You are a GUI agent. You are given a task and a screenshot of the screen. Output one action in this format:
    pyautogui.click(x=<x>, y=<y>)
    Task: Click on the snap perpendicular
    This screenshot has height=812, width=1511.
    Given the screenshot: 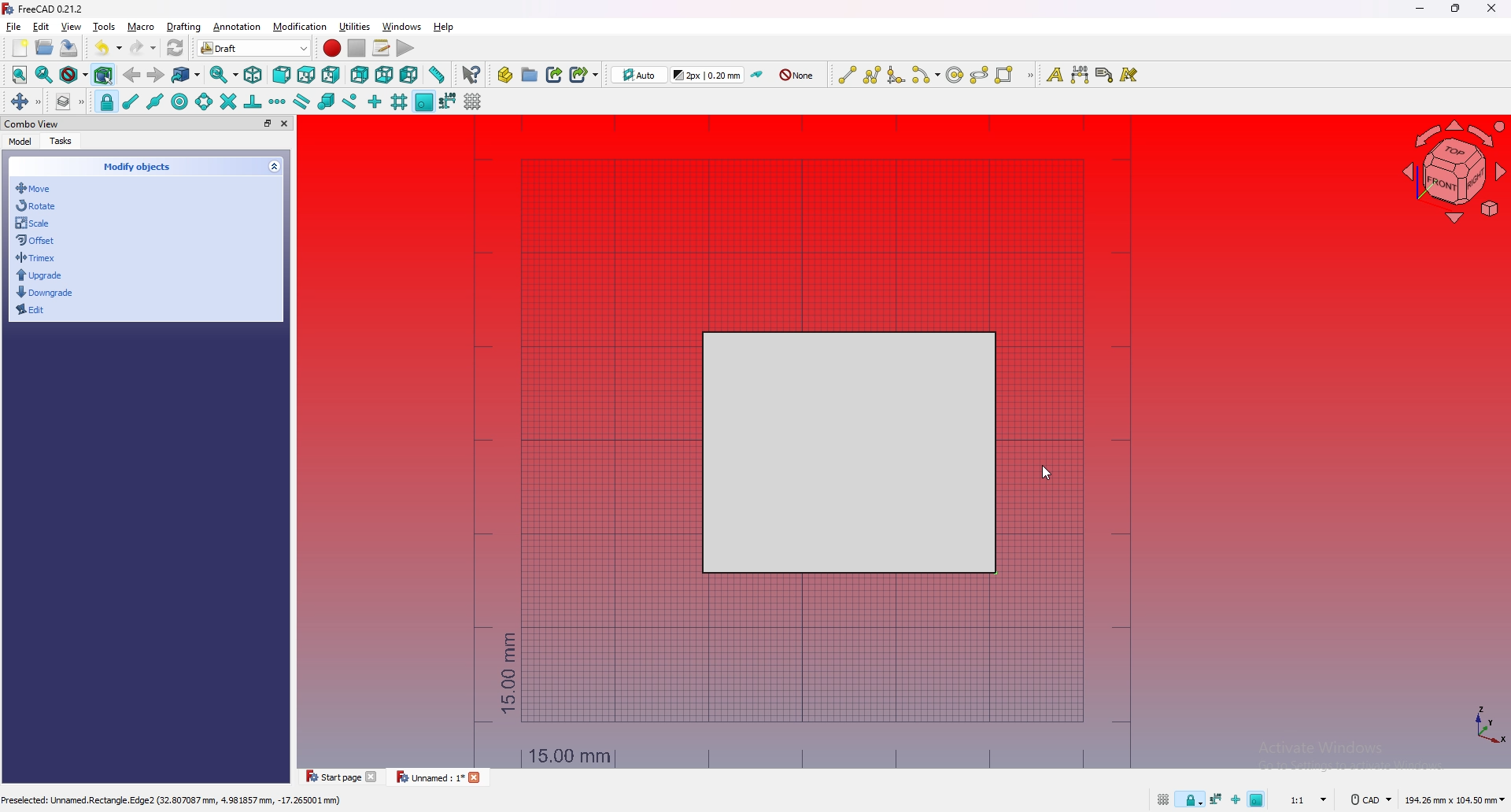 What is the action you would take?
    pyautogui.click(x=253, y=102)
    